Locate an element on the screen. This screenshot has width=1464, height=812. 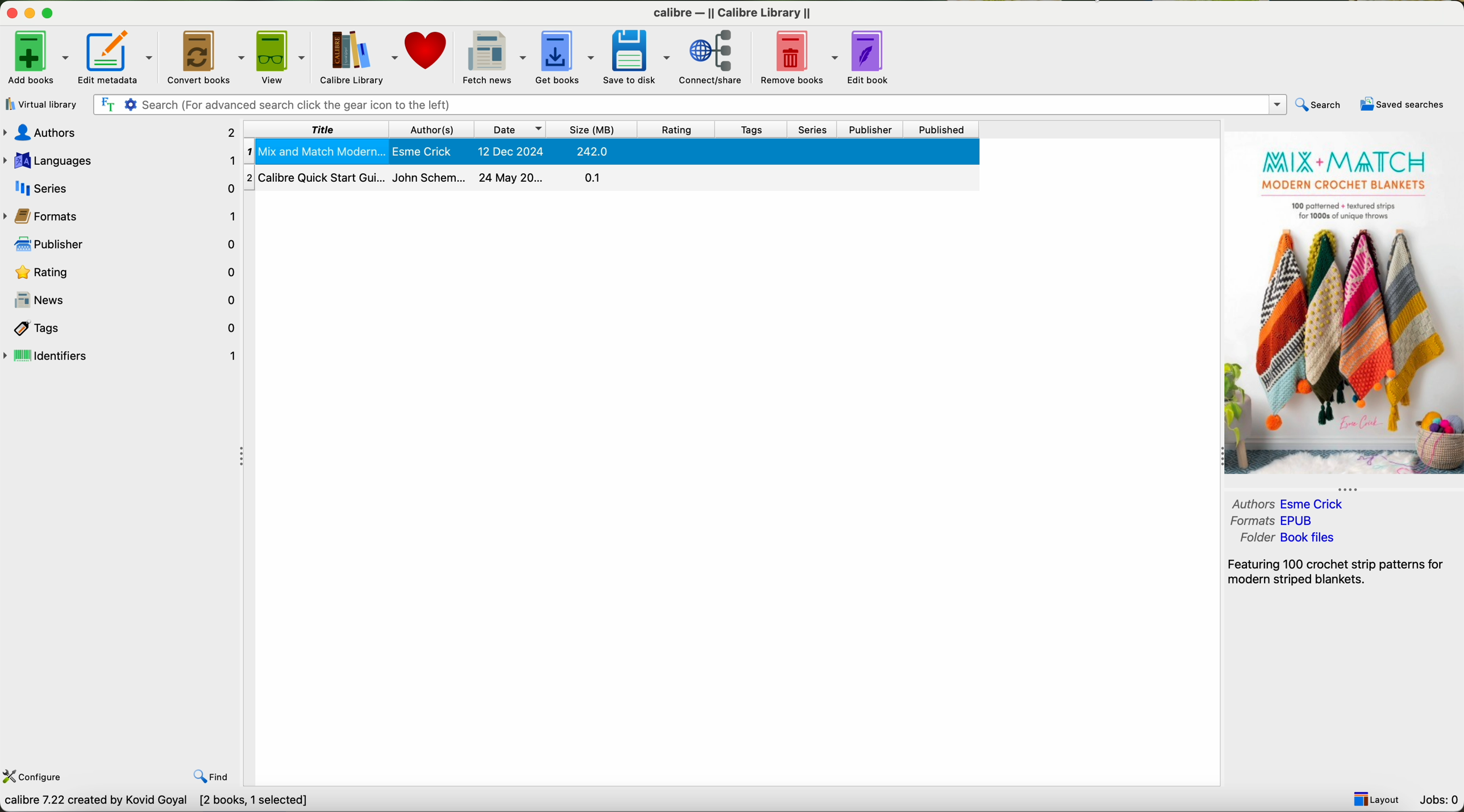
view is located at coordinates (282, 55).